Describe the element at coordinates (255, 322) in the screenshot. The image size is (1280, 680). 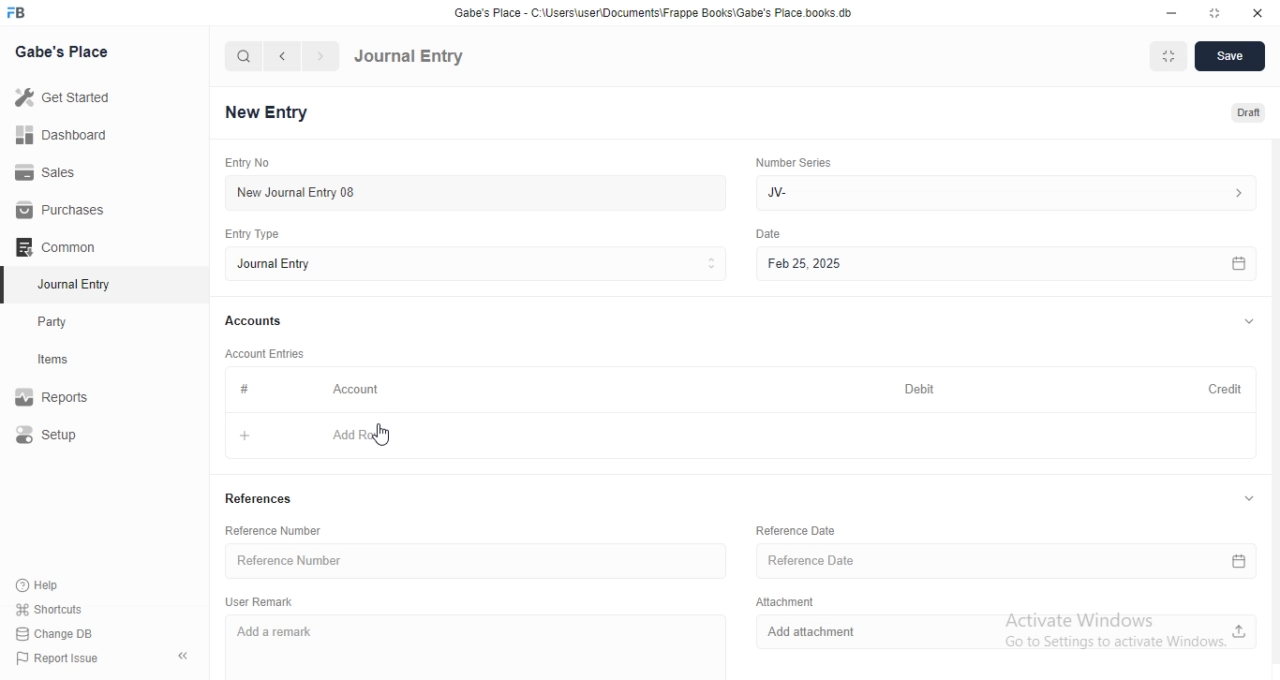
I see `Accounts` at that location.